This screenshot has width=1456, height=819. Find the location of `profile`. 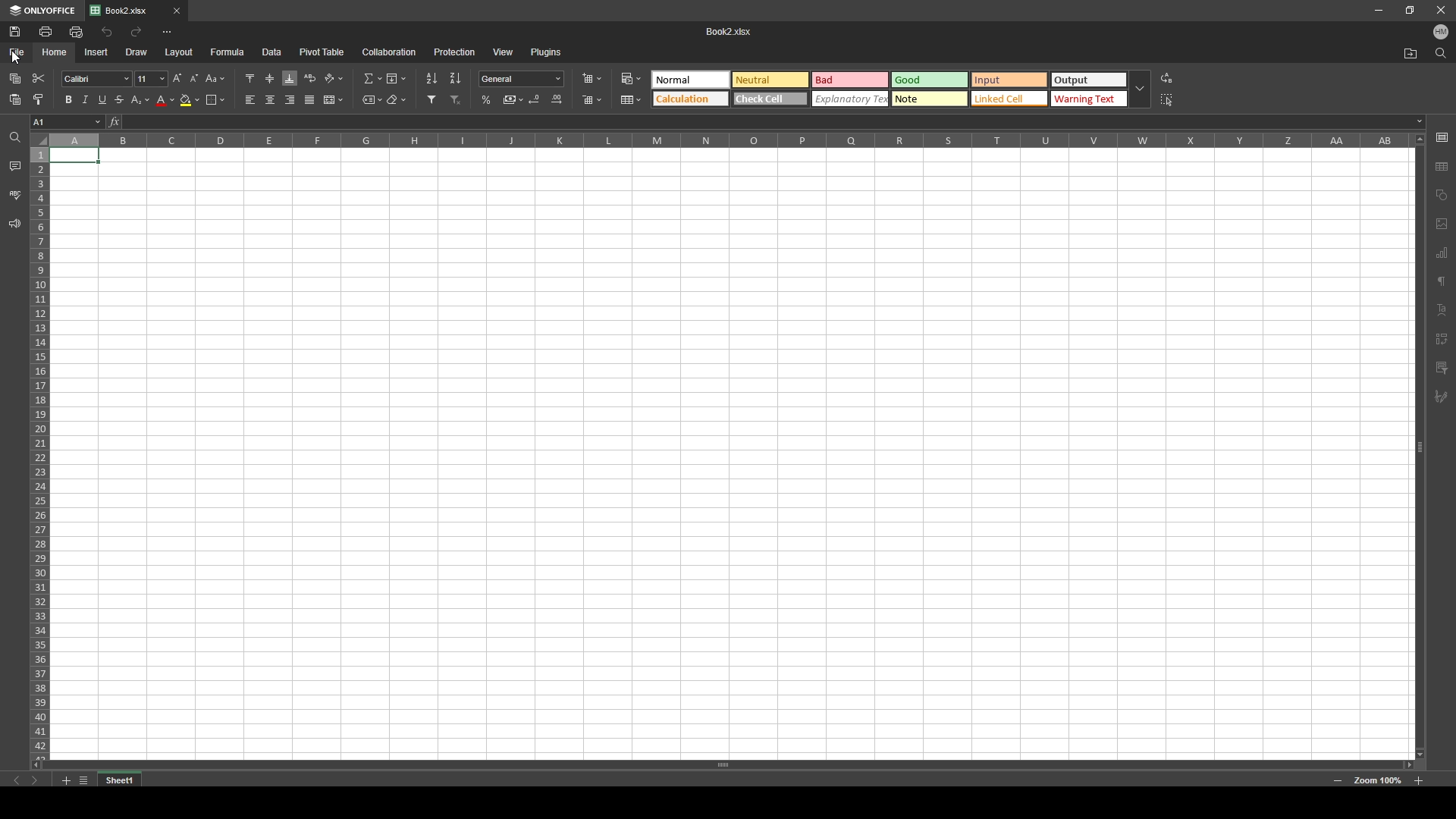

profile is located at coordinates (1442, 32).